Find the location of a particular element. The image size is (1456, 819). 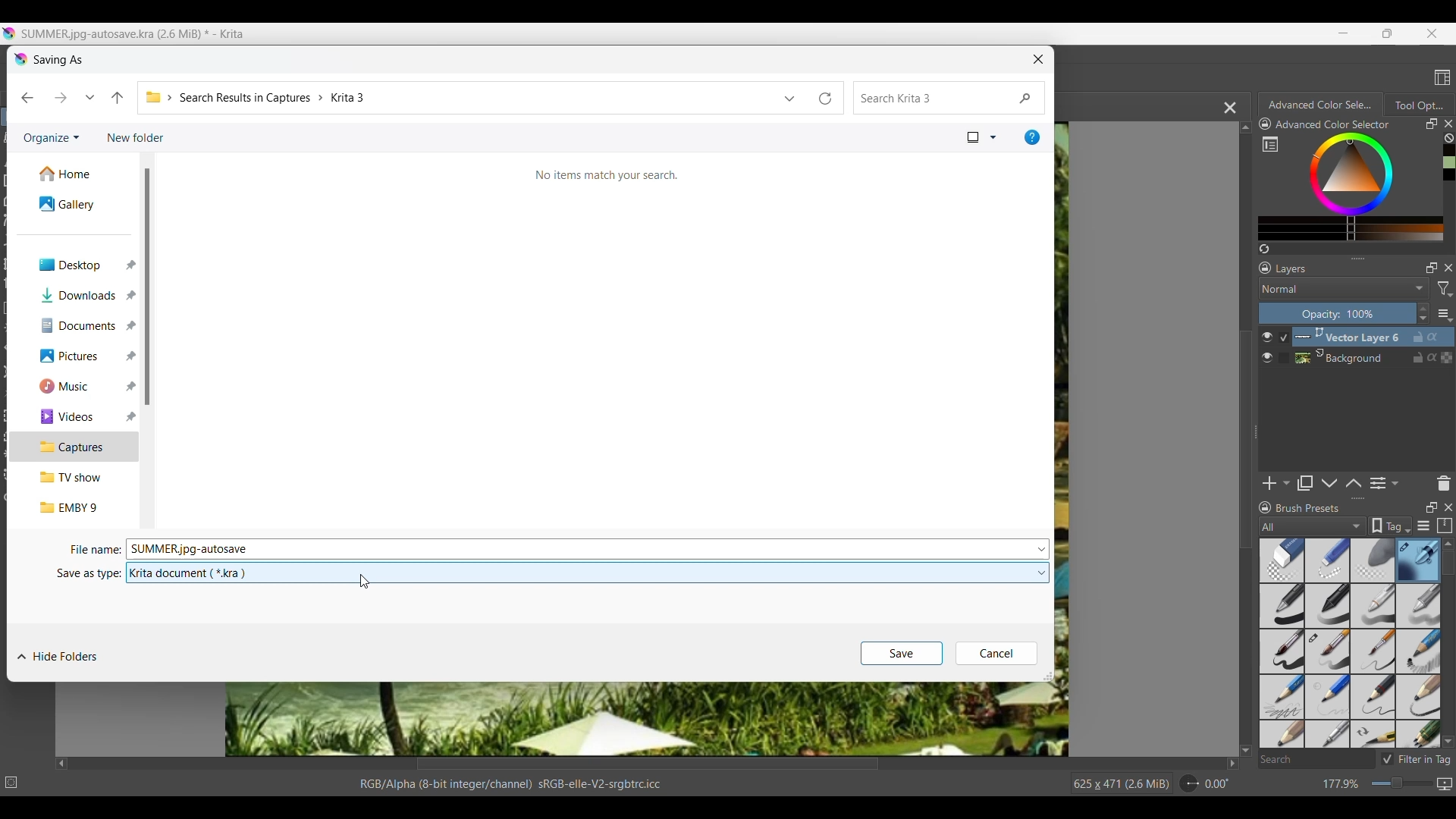

Toggle to filter in tag is located at coordinates (1416, 759).